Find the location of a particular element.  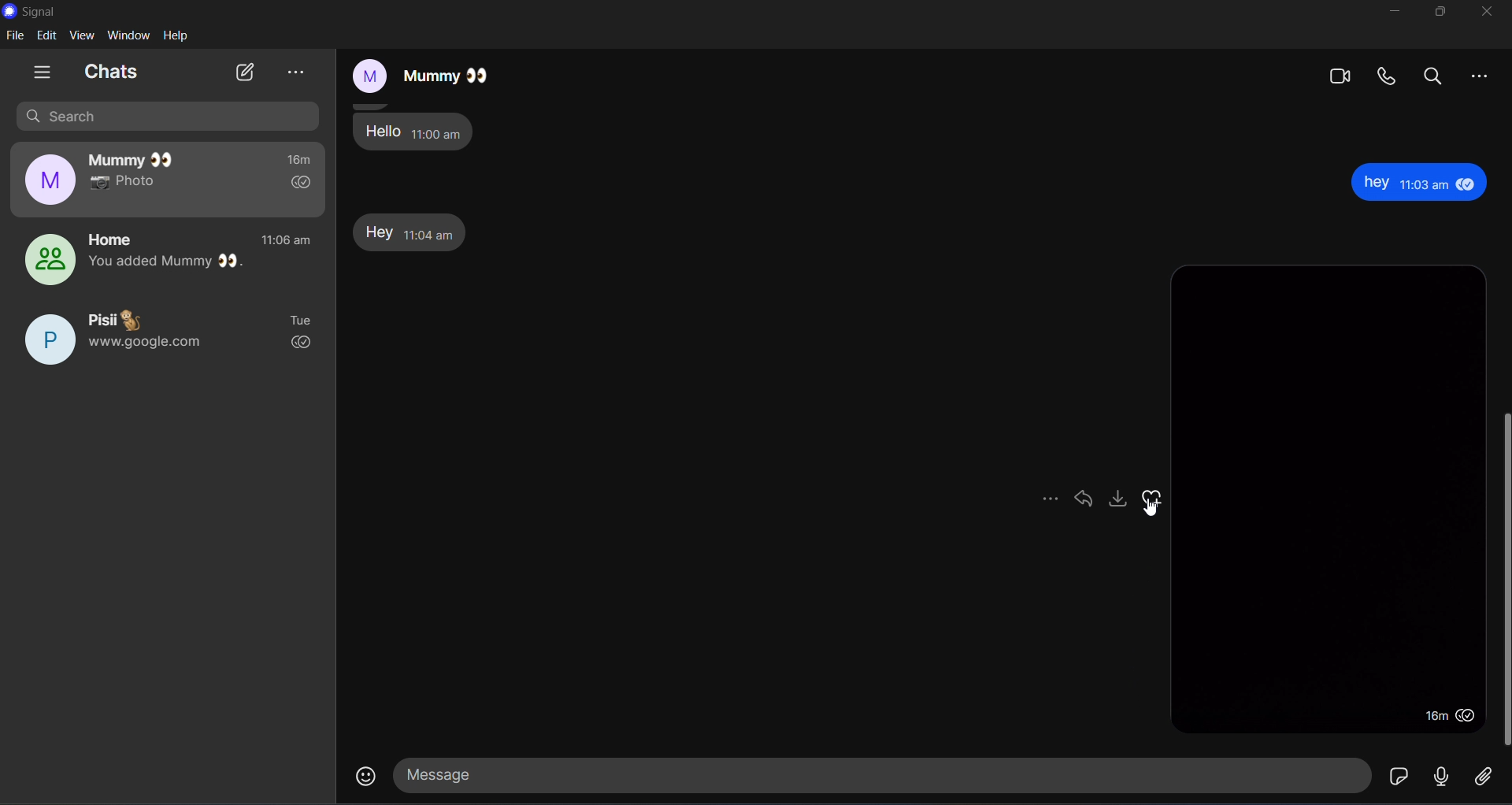

message is located at coordinates (876, 773).